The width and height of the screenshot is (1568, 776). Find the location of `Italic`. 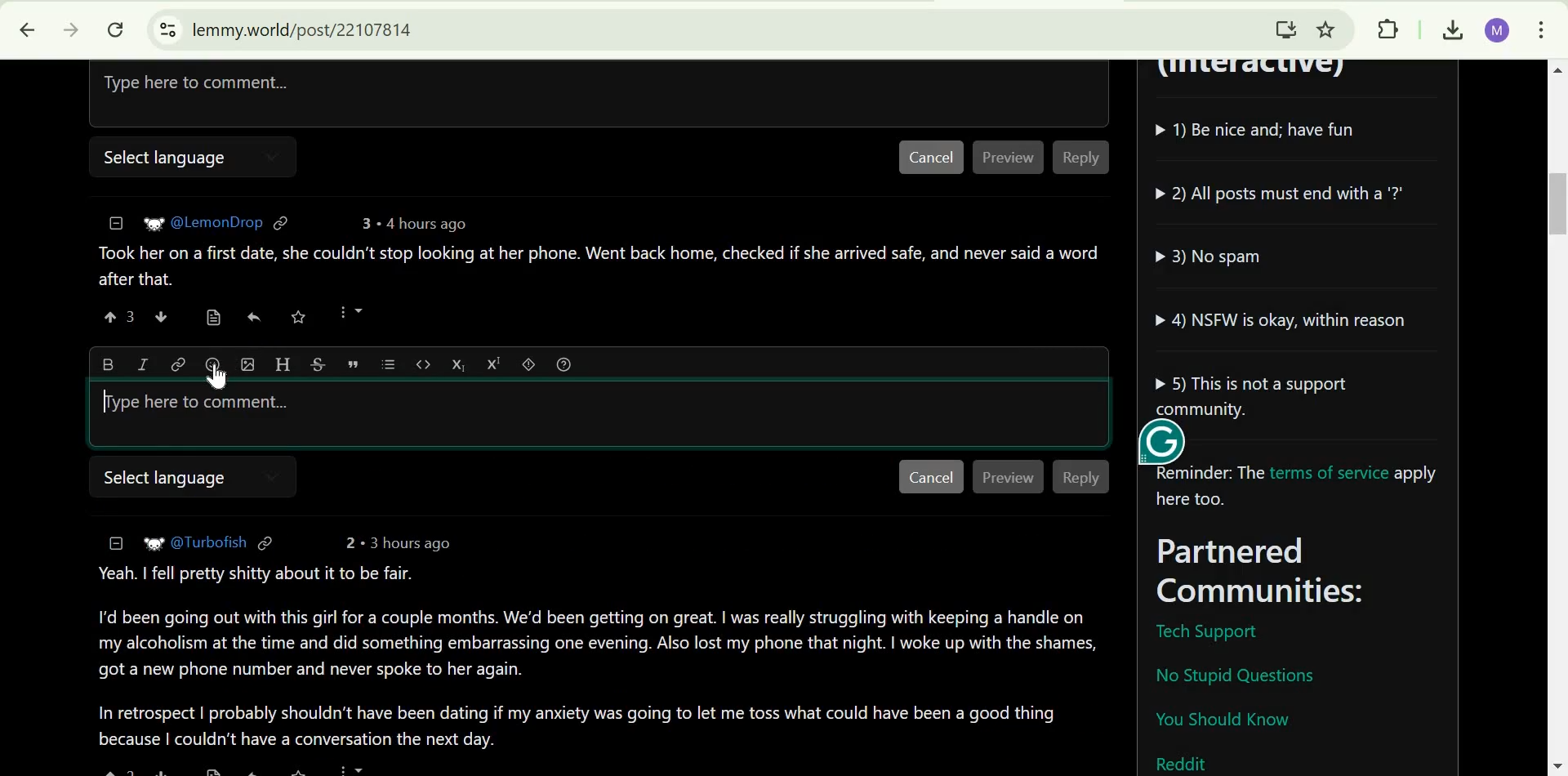

Italic is located at coordinates (140, 363).